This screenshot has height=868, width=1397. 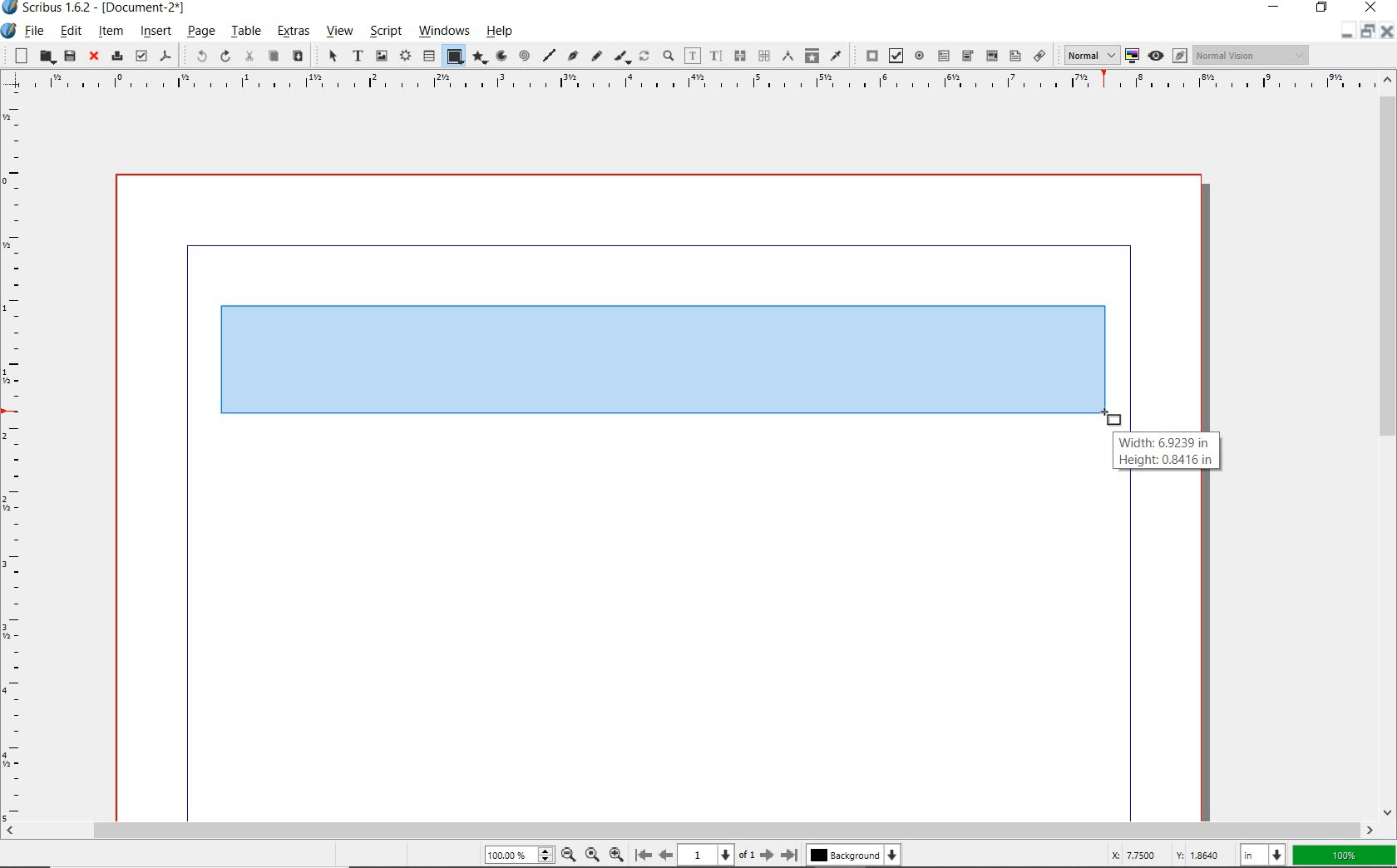 I want to click on pdf combo box, so click(x=991, y=57).